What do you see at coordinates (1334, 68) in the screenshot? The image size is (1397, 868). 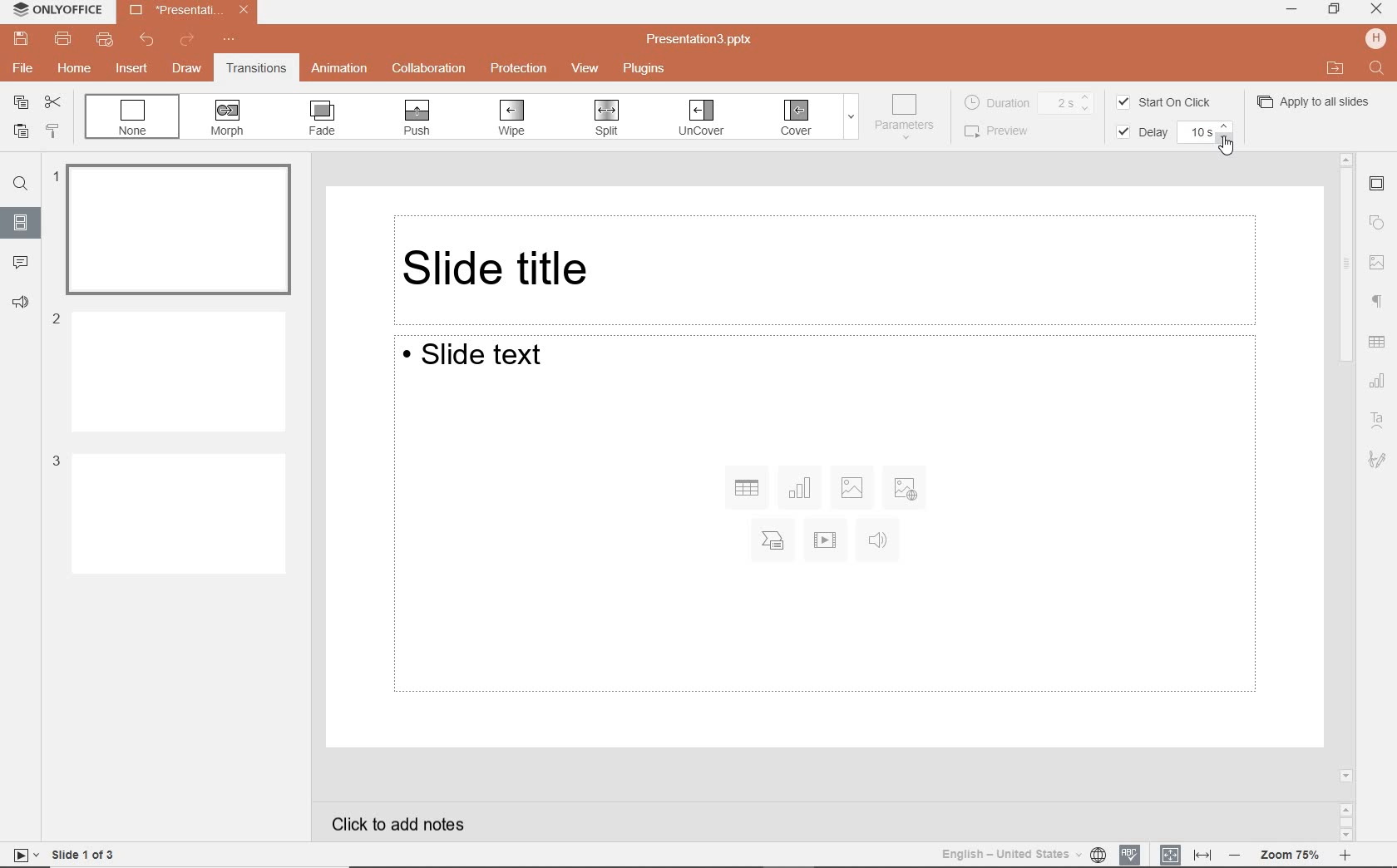 I see `OPEN FILE LOCATION` at bounding box center [1334, 68].